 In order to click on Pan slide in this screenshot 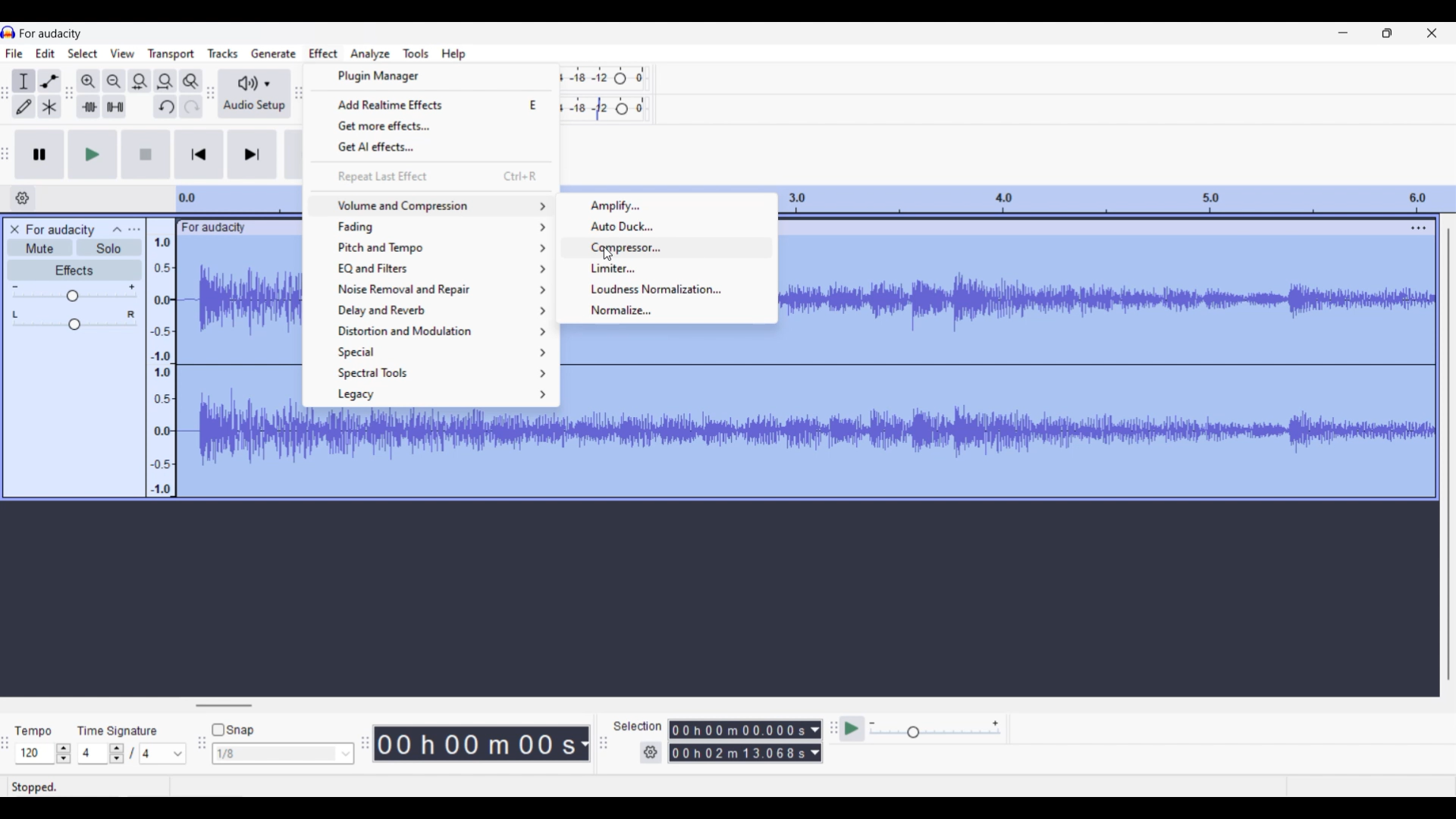, I will do `click(74, 320)`.